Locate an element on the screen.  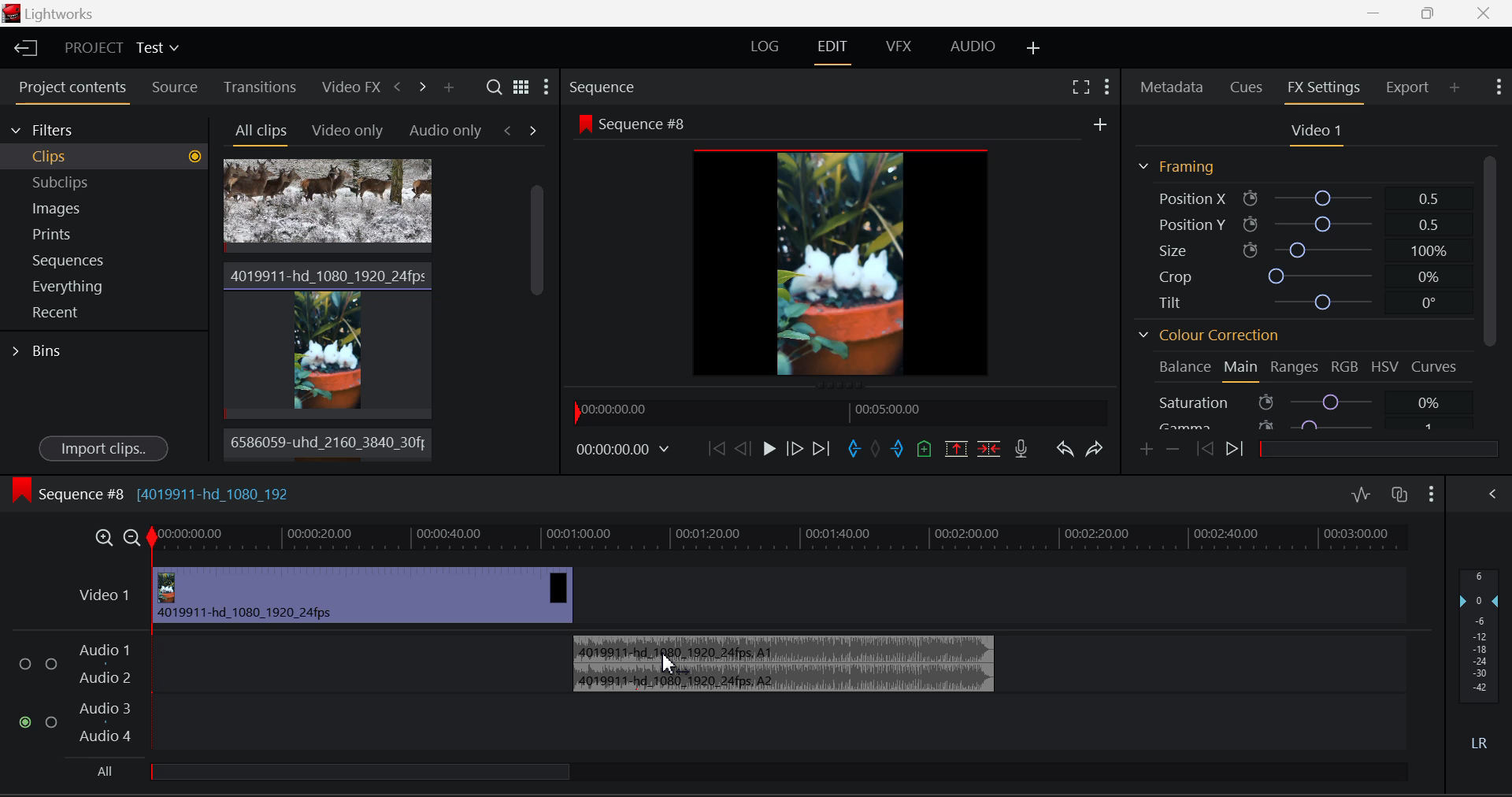
Frame Time is located at coordinates (629, 451).